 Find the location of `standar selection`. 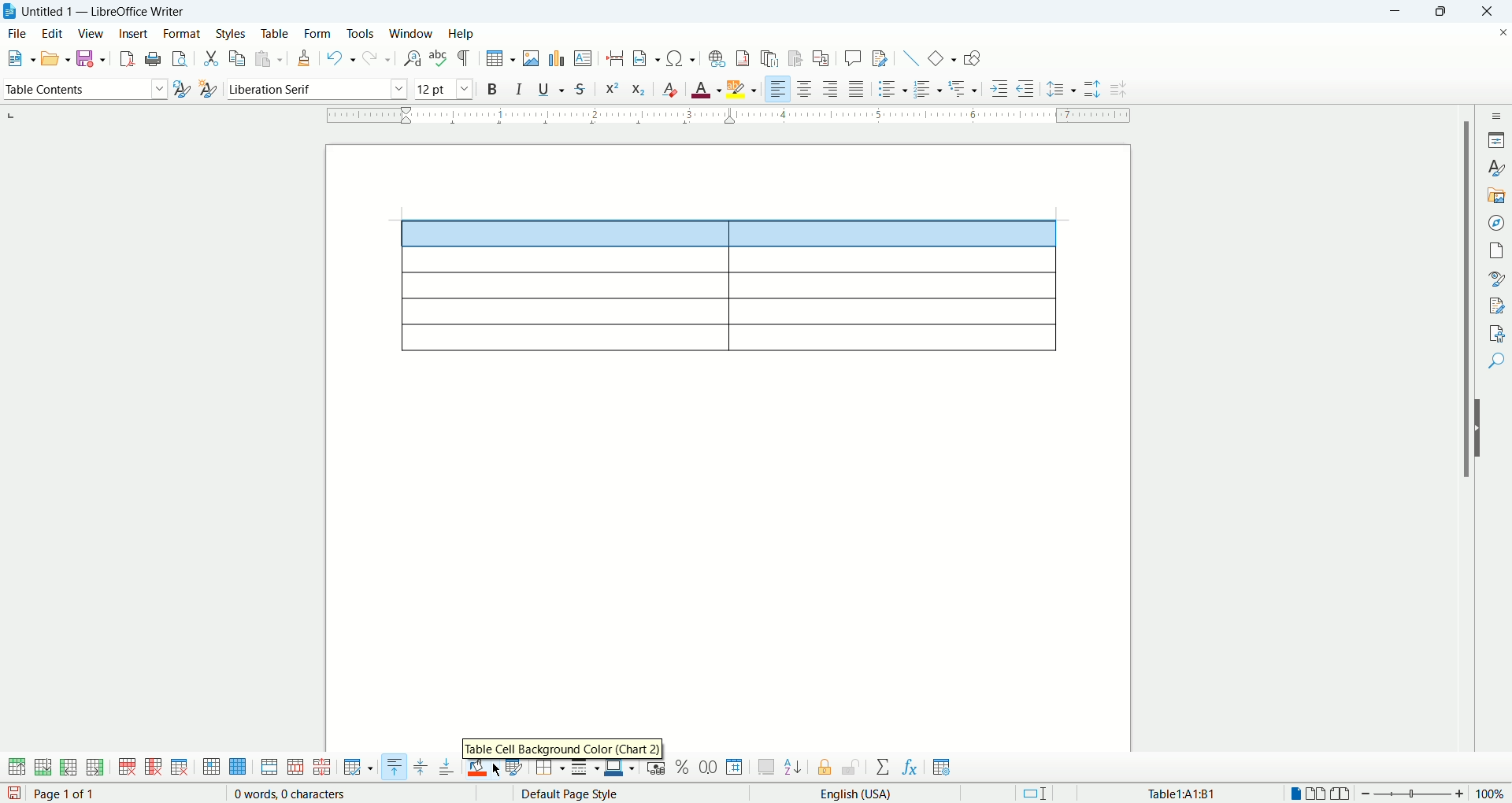

standar selection is located at coordinates (1045, 793).